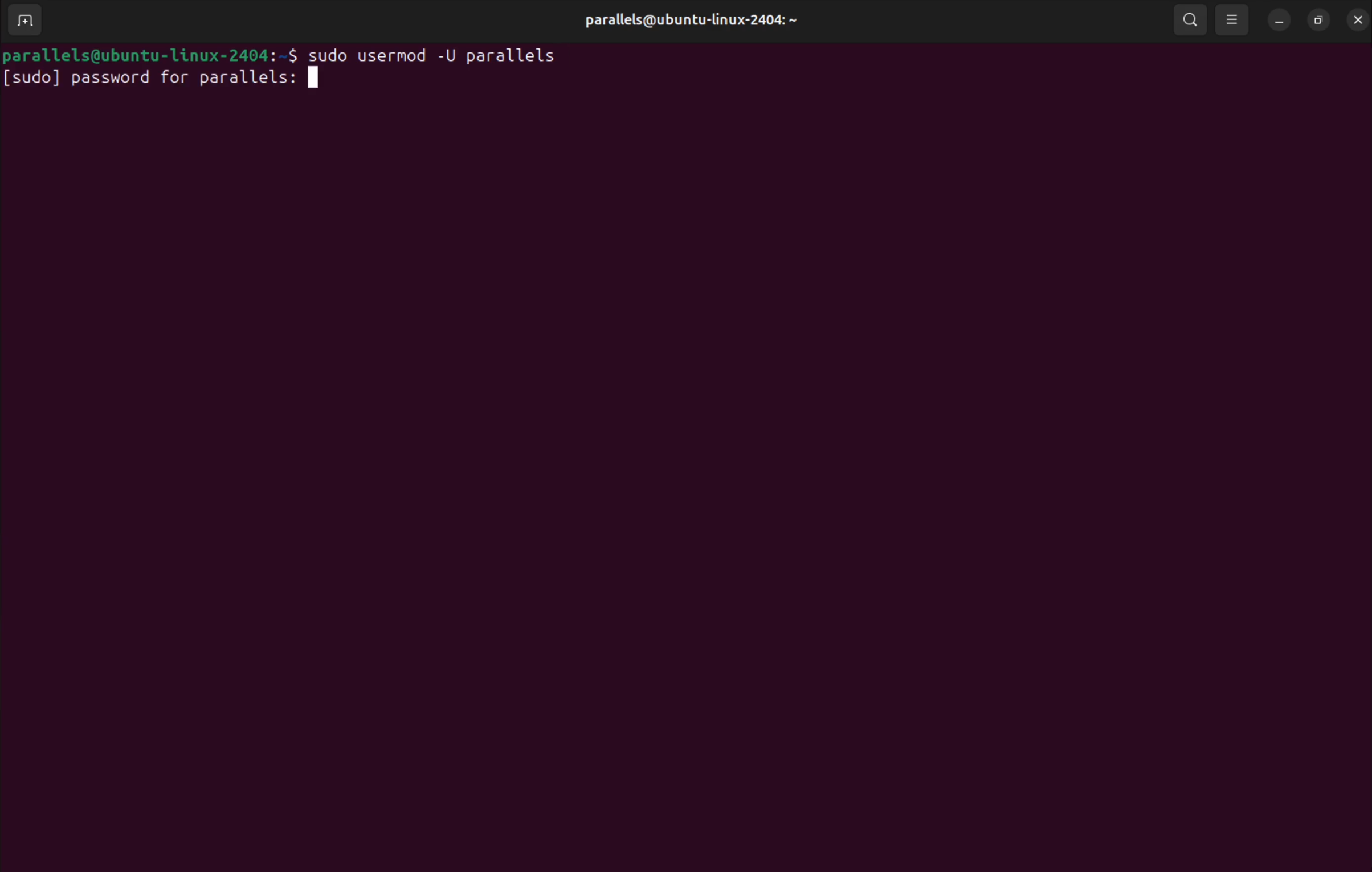 The image size is (1372, 872). What do you see at coordinates (1234, 19) in the screenshot?
I see `view options` at bounding box center [1234, 19].